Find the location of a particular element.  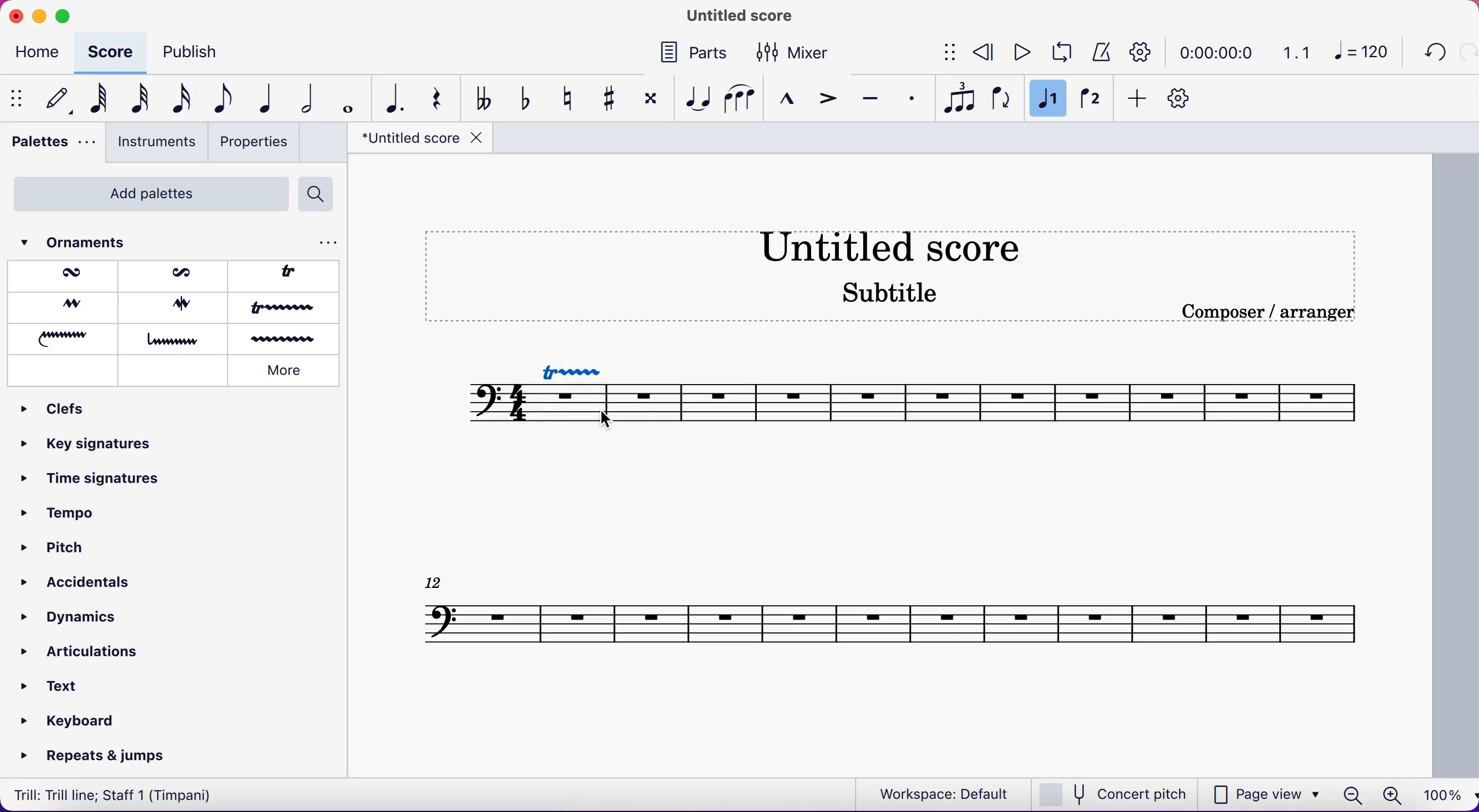

ornaments is located at coordinates (93, 243).